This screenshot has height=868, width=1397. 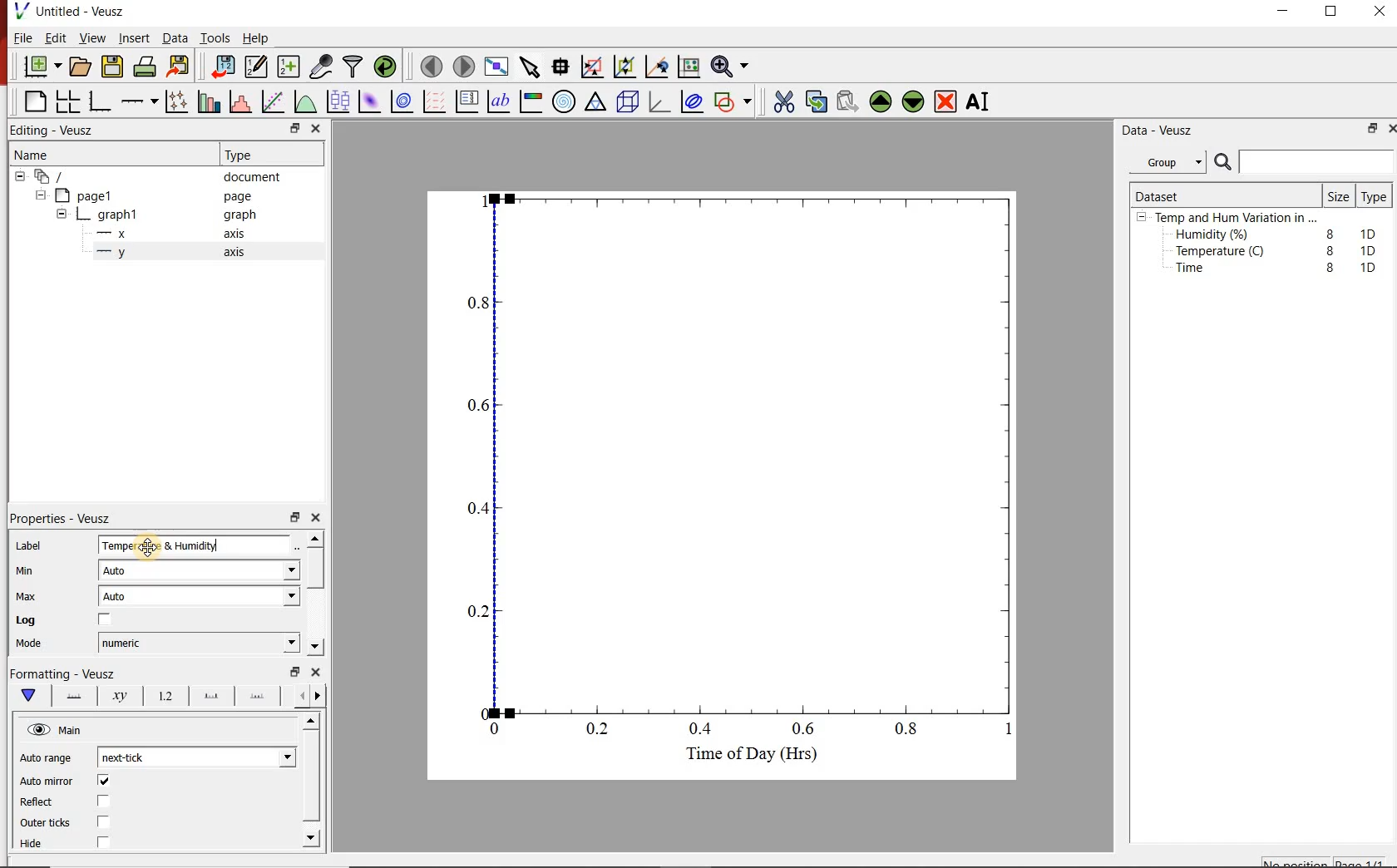 I want to click on Label, so click(x=42, y=542).